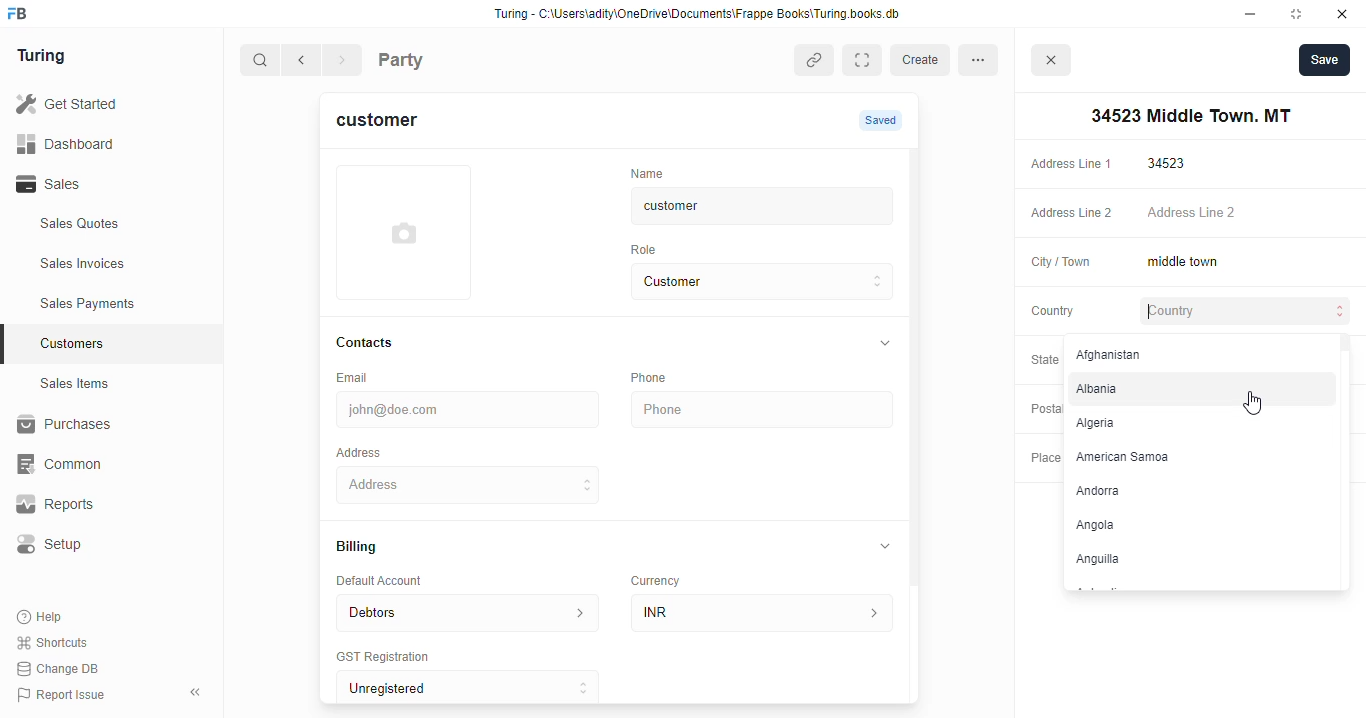 The height and width of the screenshot is (718, 1366). Describe the element at coordinates (664, 576) in the screenshot. I see `Currency` at that location.